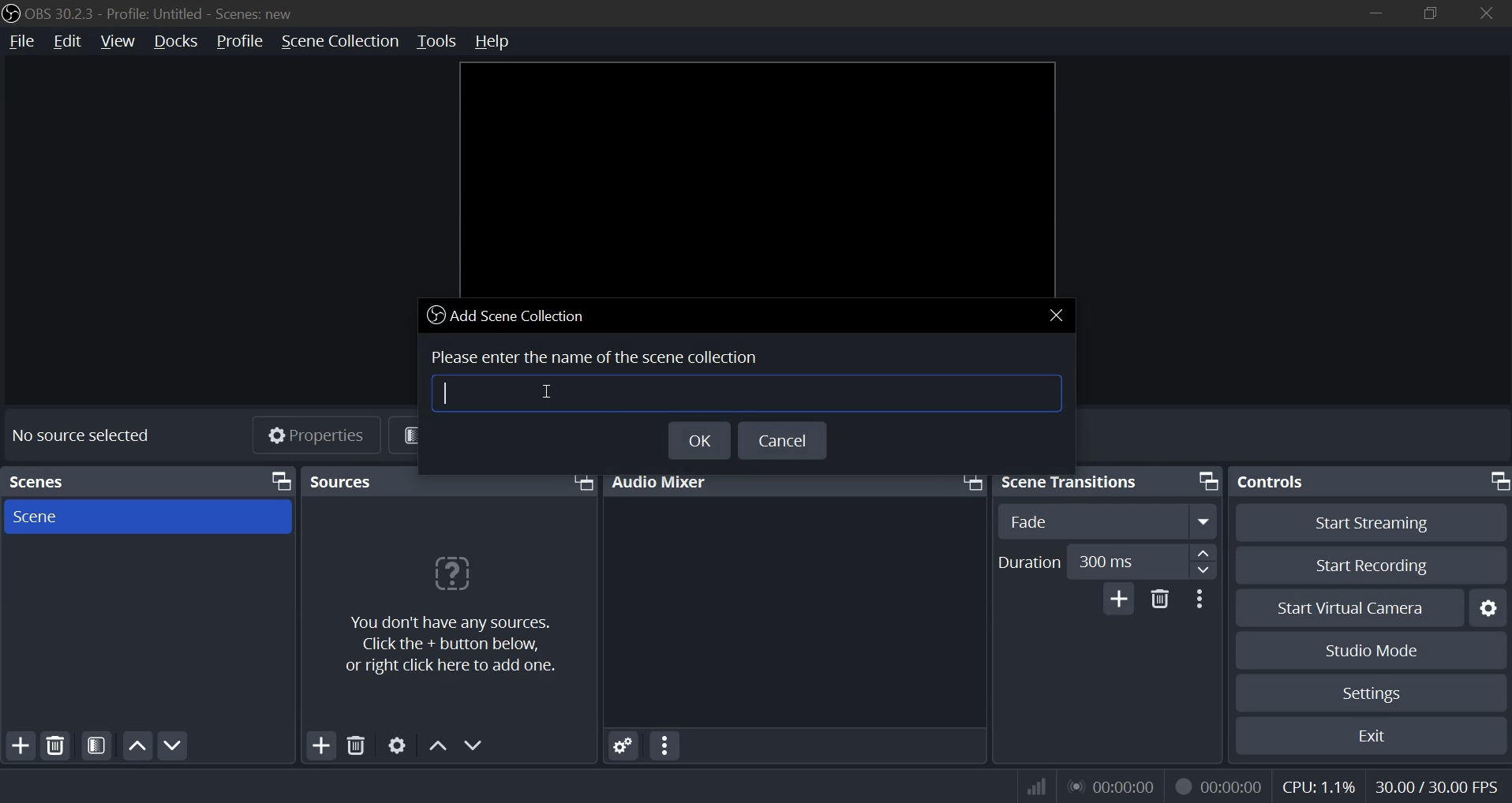  Describe the element at coordinates (544, 390) in the screenshot. I see `cursor` at that location.